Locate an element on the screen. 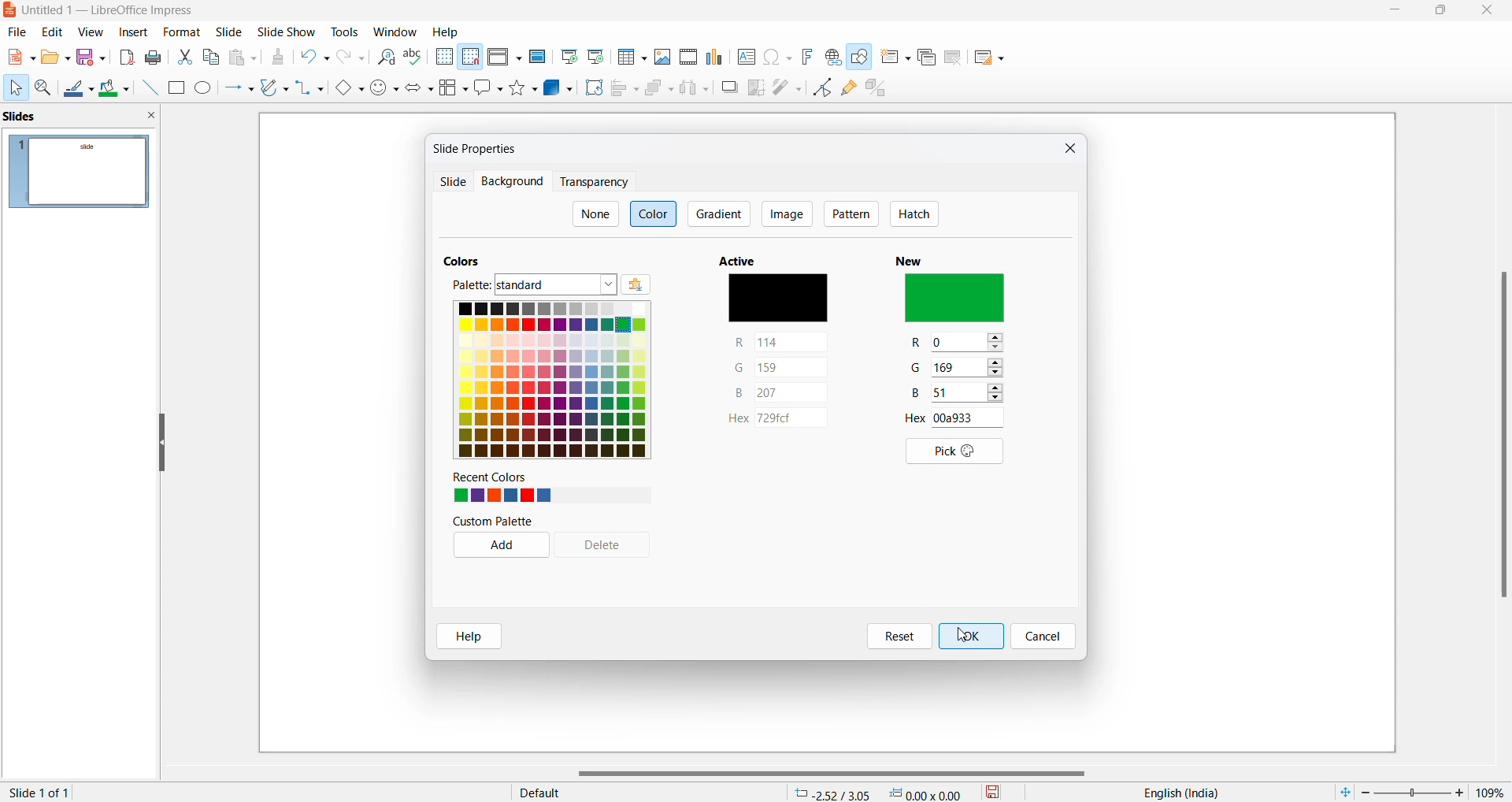 Image resolution: width=1512 pixels, height=802 pixels. insert audio or video is located at coordinates (687, 58).